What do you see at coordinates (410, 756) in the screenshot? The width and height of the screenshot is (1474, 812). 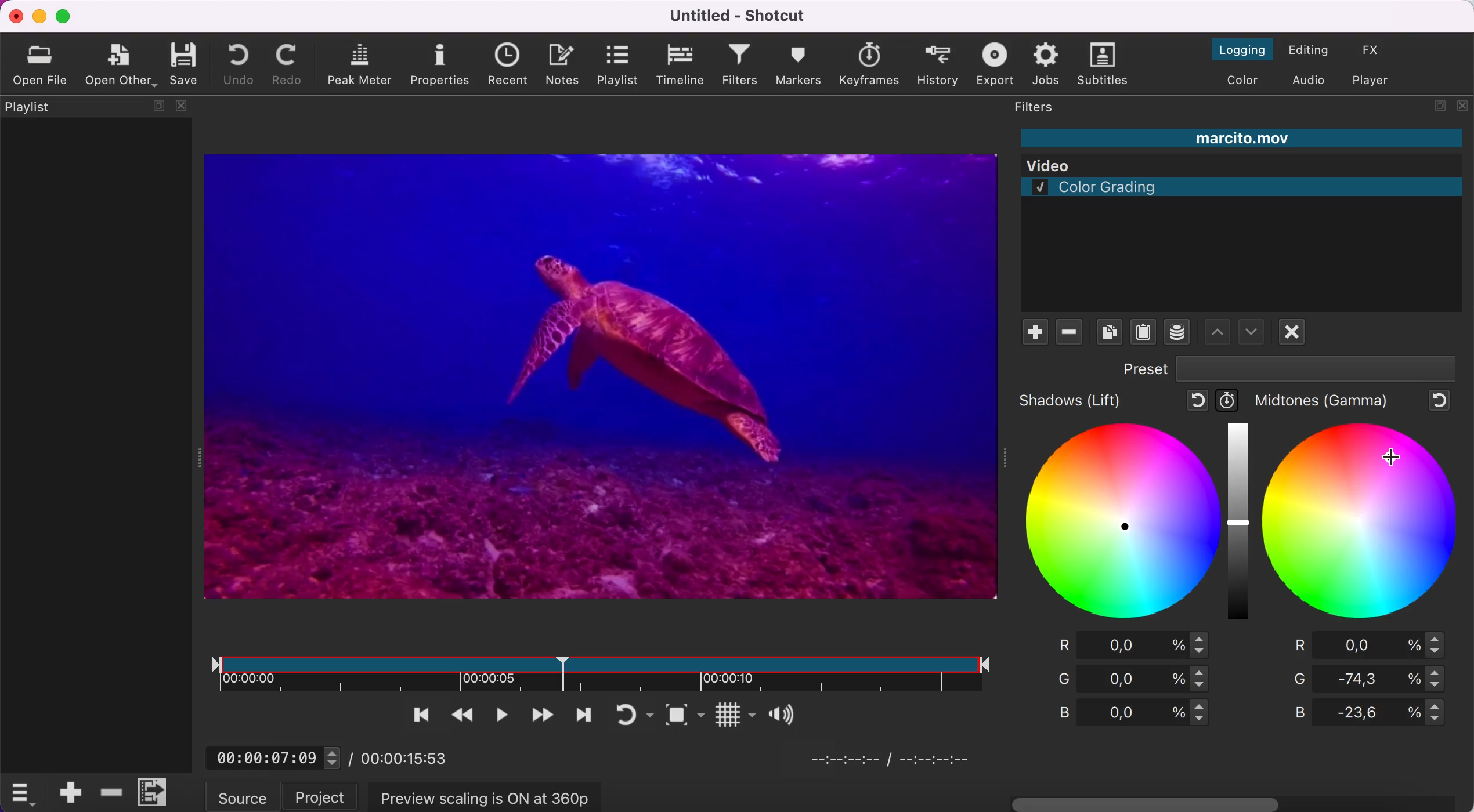 I see `00:00:15:53` at bounding box center [410, 756].